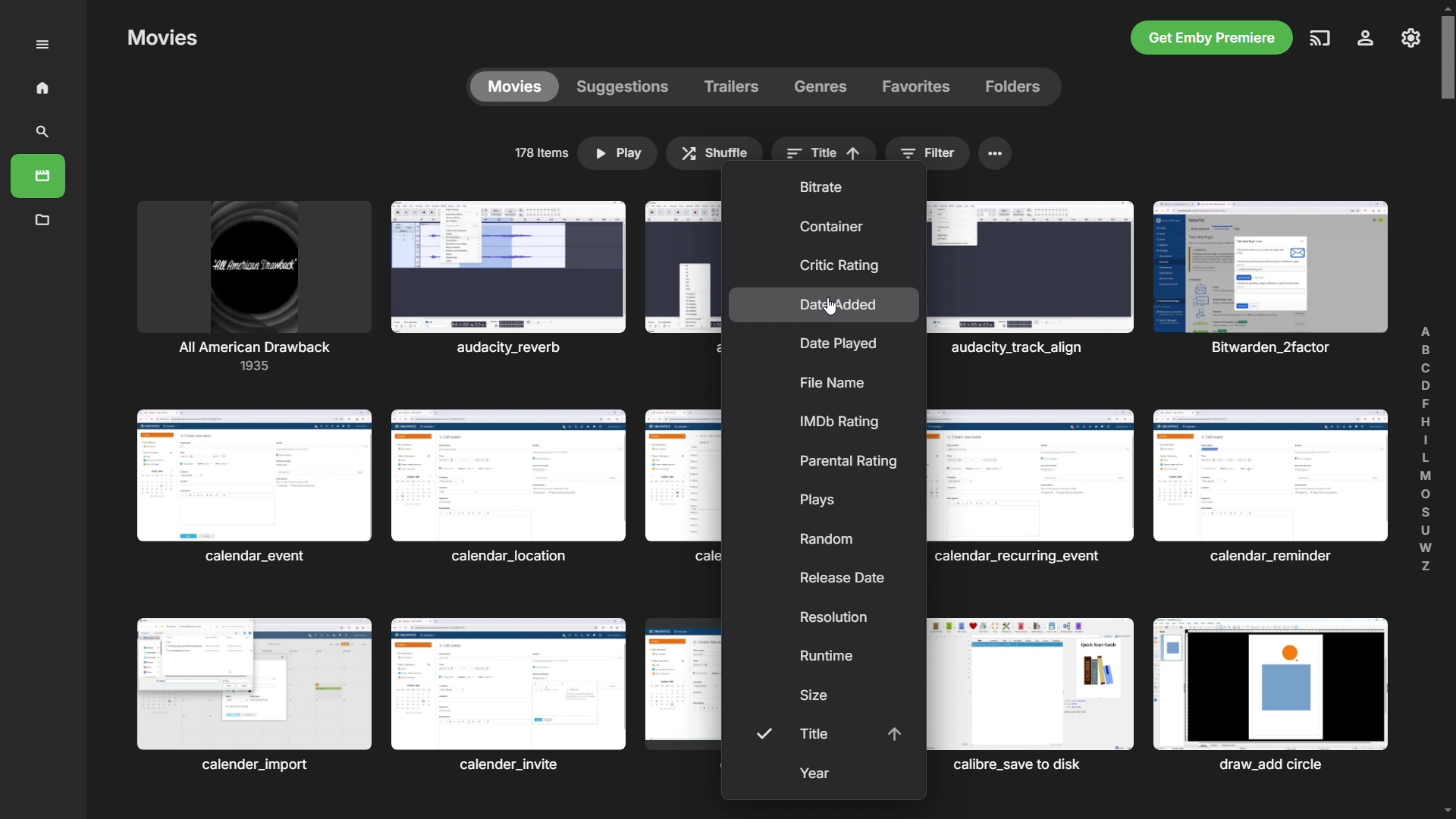 The width and height of the screenshot is (1456, 819). What do you see at coordinates (824, 380) in the screenshot?
I see `file name` at bounding box center [824, 380].